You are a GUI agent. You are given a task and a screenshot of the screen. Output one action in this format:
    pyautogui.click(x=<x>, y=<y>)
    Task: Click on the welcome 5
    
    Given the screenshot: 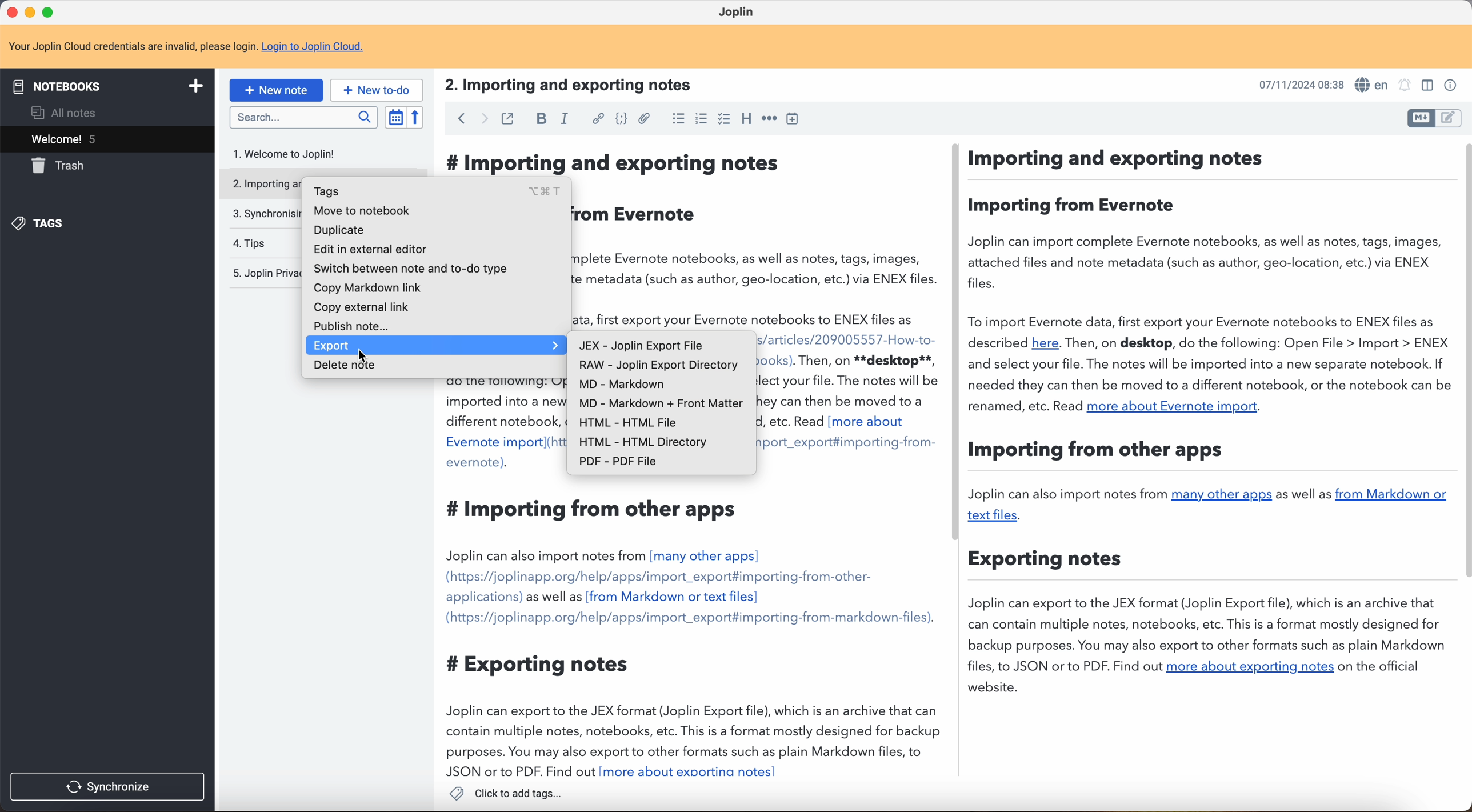 What is the action you would take?
    pyautogui.click(x=106, y=139)
    